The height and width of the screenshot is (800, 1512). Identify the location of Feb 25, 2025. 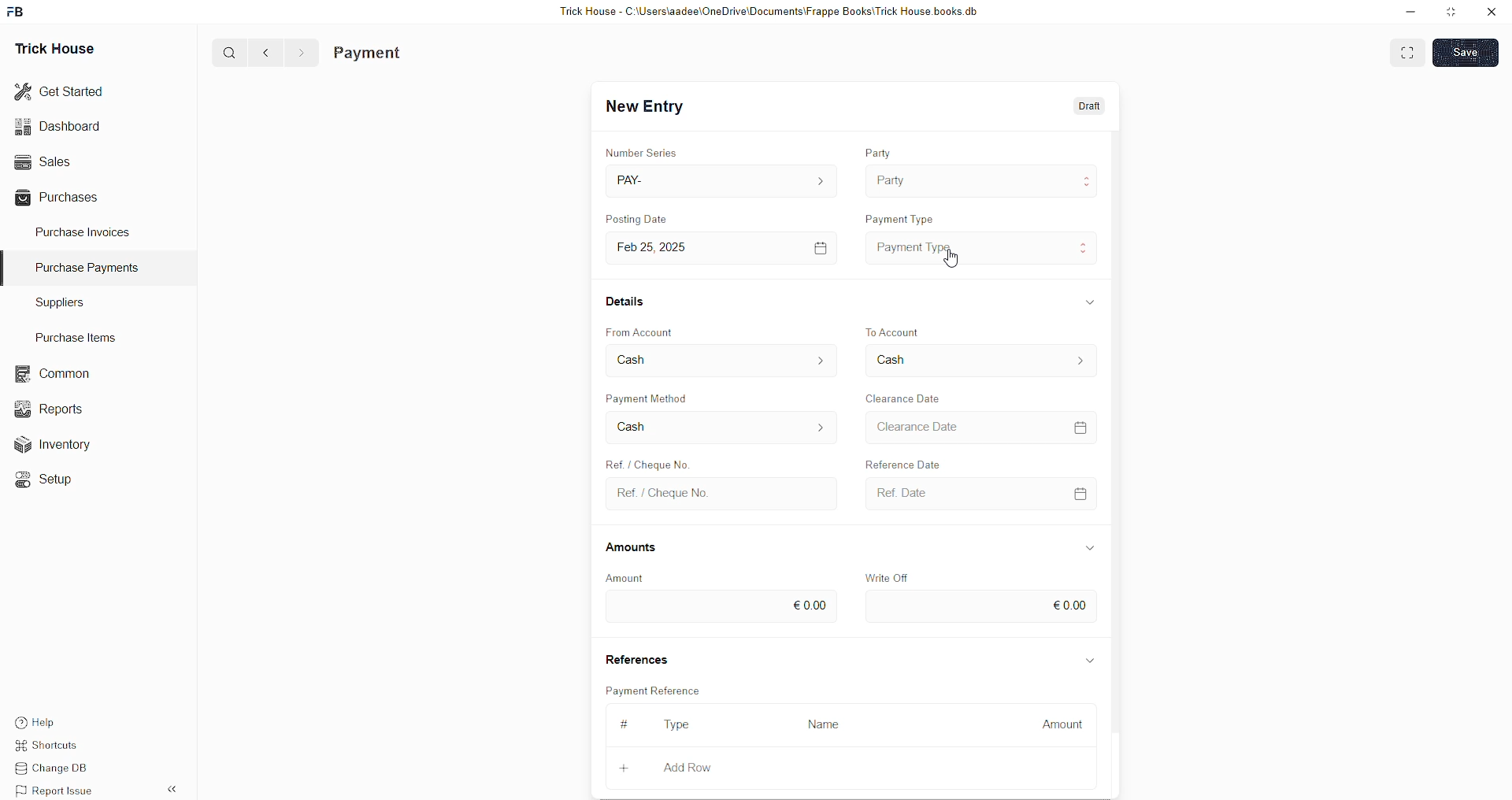
(663, 247).